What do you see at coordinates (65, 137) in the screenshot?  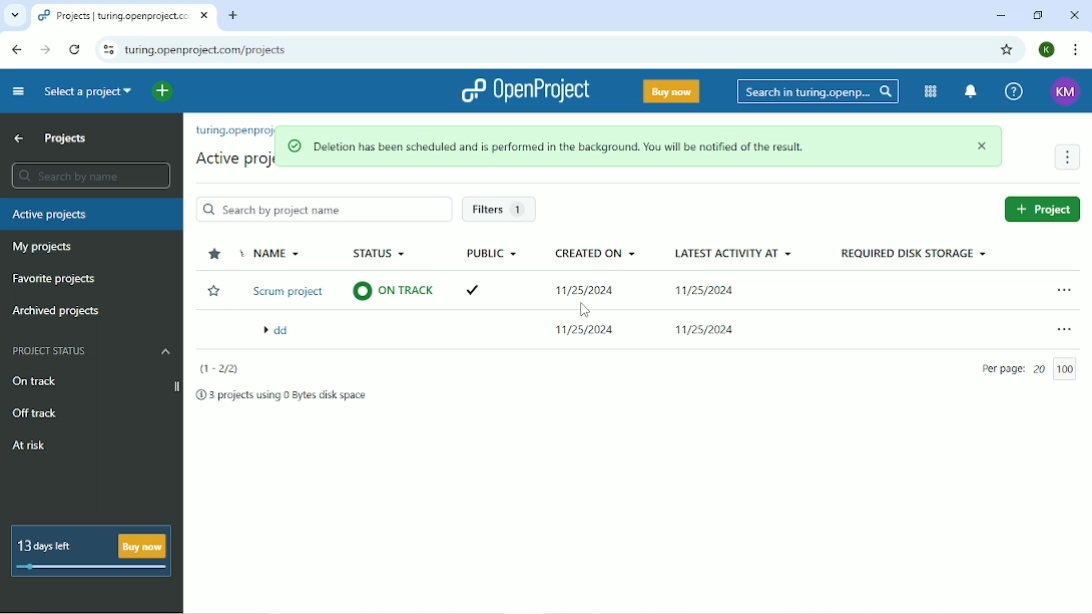 I see `Projects` at bounding box center [65, 137].